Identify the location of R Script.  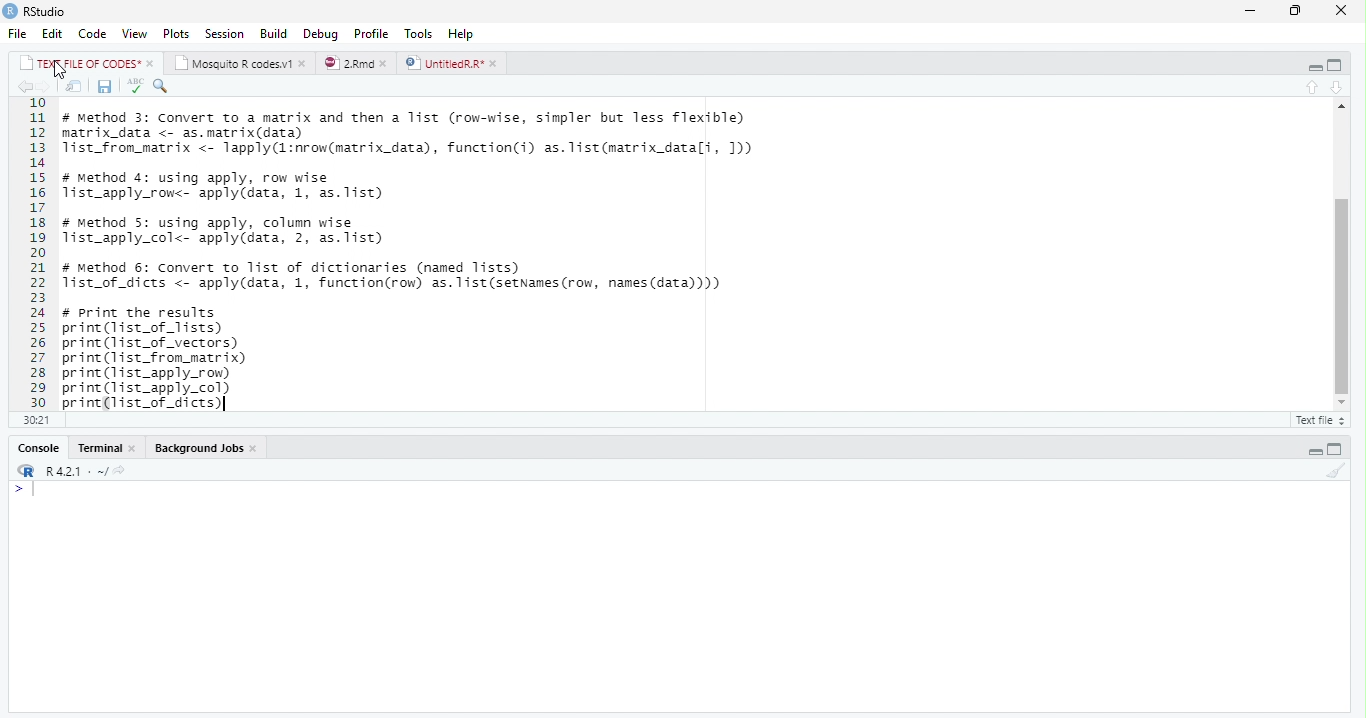
(1320, 419).